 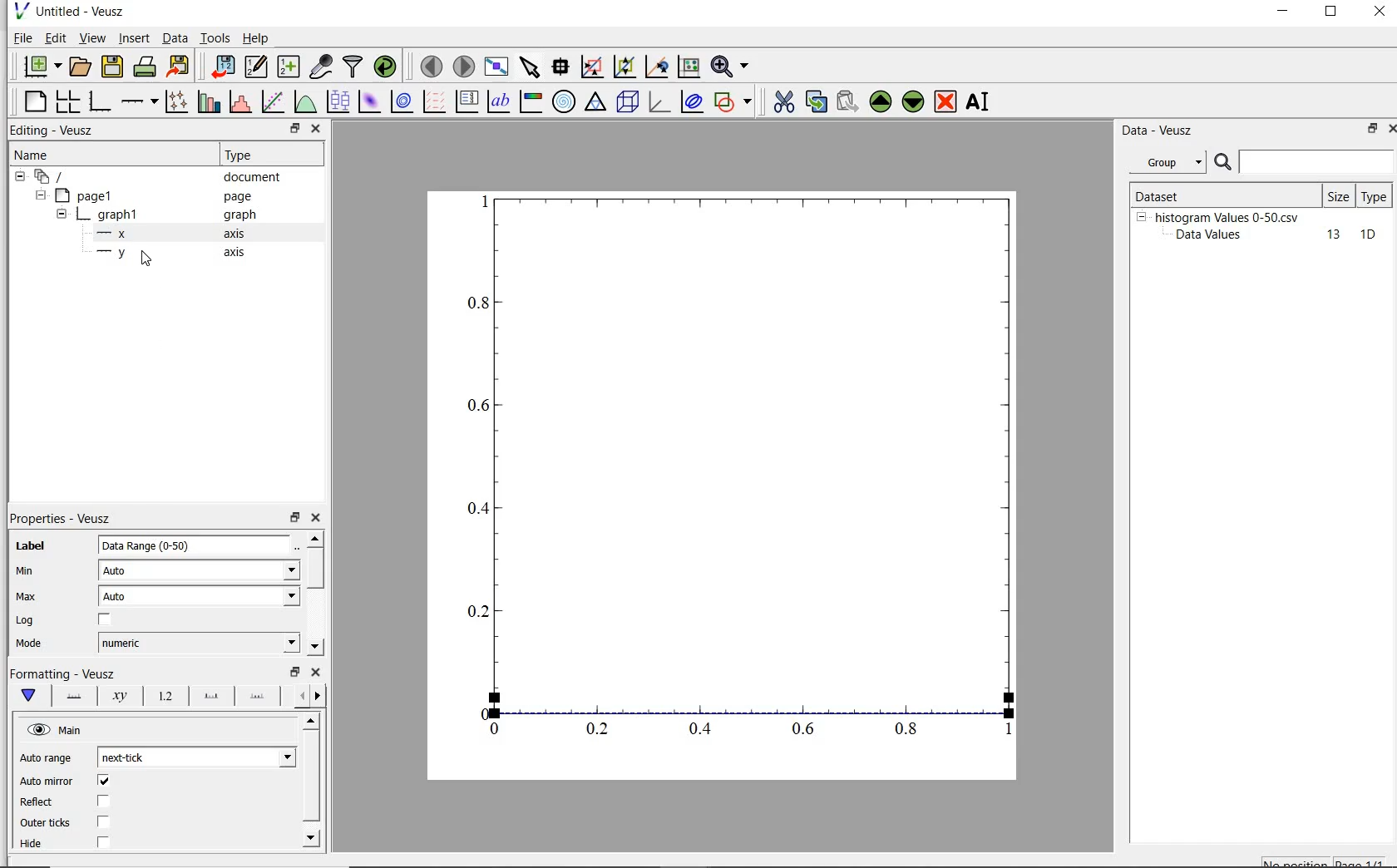 What do you see at coordinates (177, 101) in the screenshot?
I see `plot points with line and error bars` at bounding box center [177, 101].